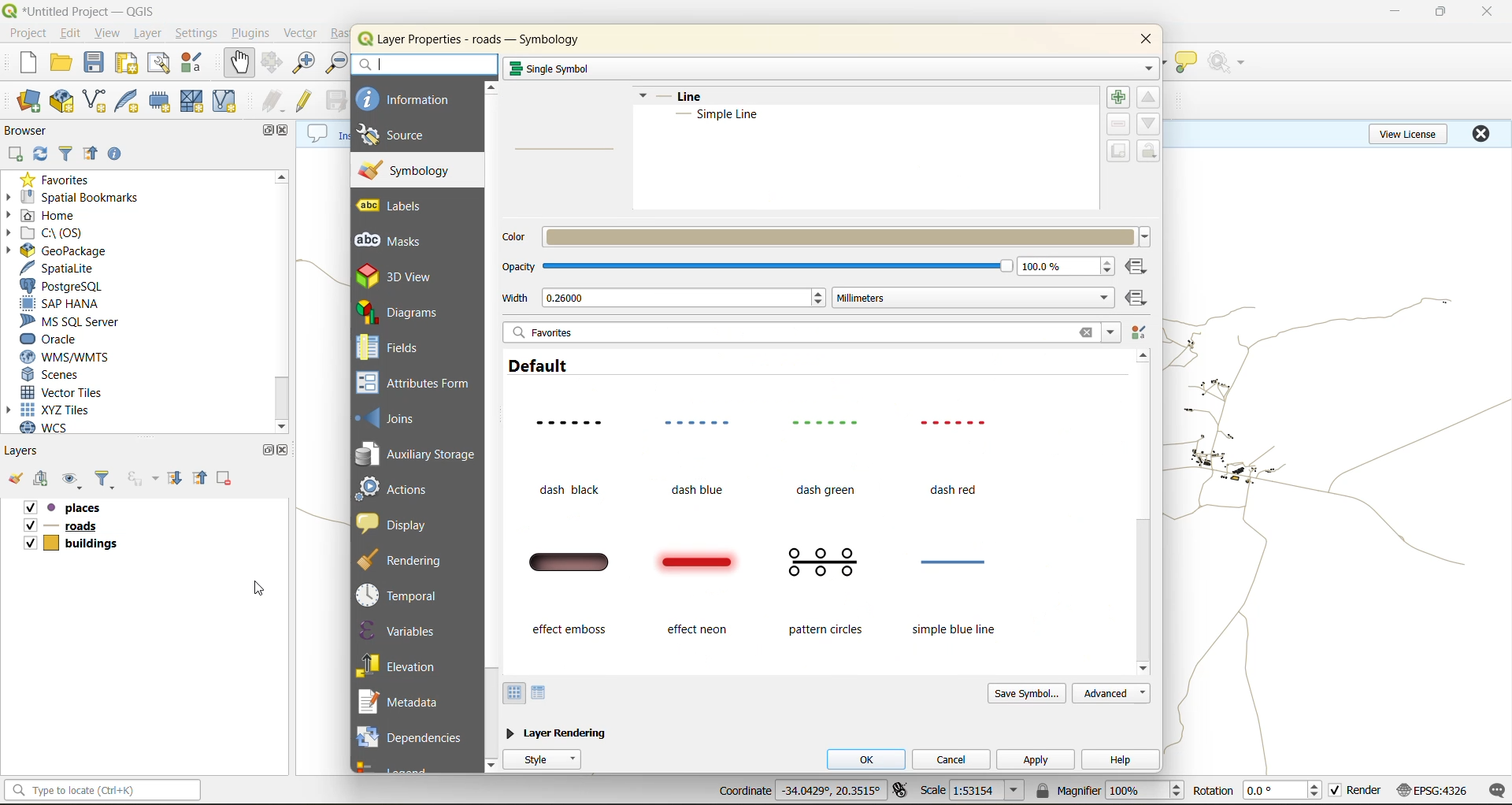  What do you see at coordinates (825, 459) in the screenshot?
I see `dash green` at bounding box center [825, 459].